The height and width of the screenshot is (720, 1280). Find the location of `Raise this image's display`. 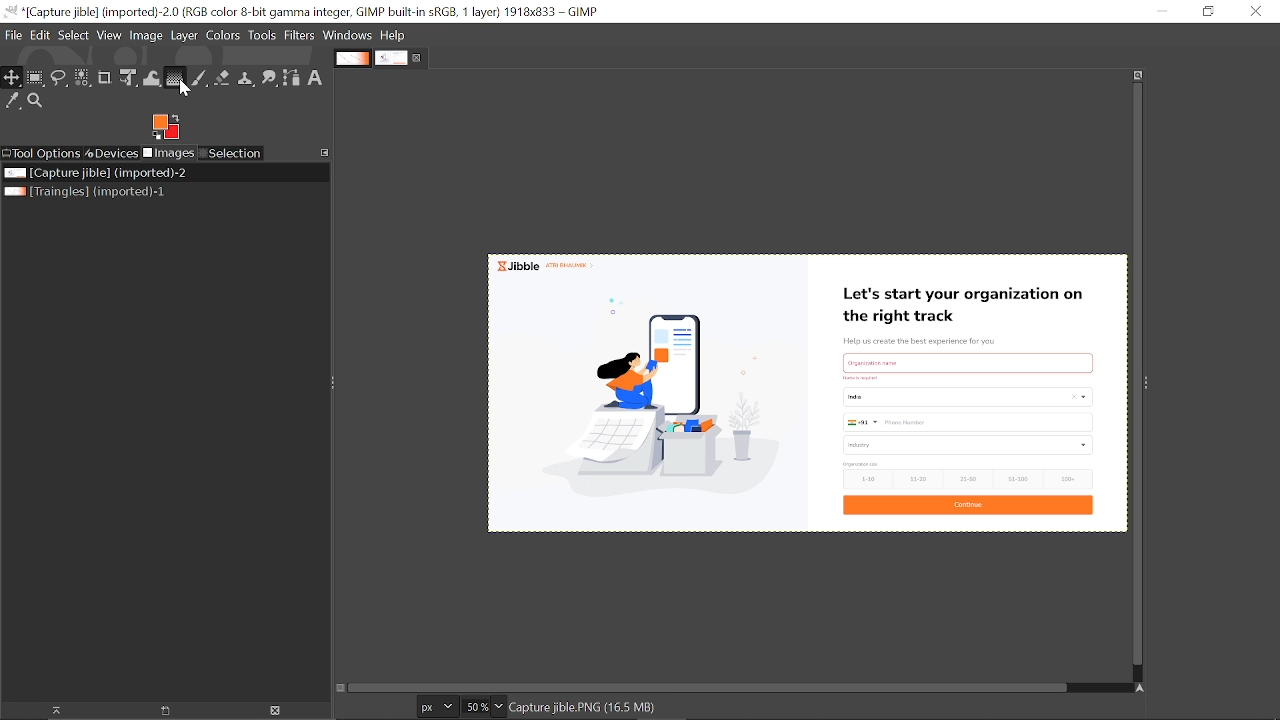

Raise this image's display is located at coordinates (51, 711).